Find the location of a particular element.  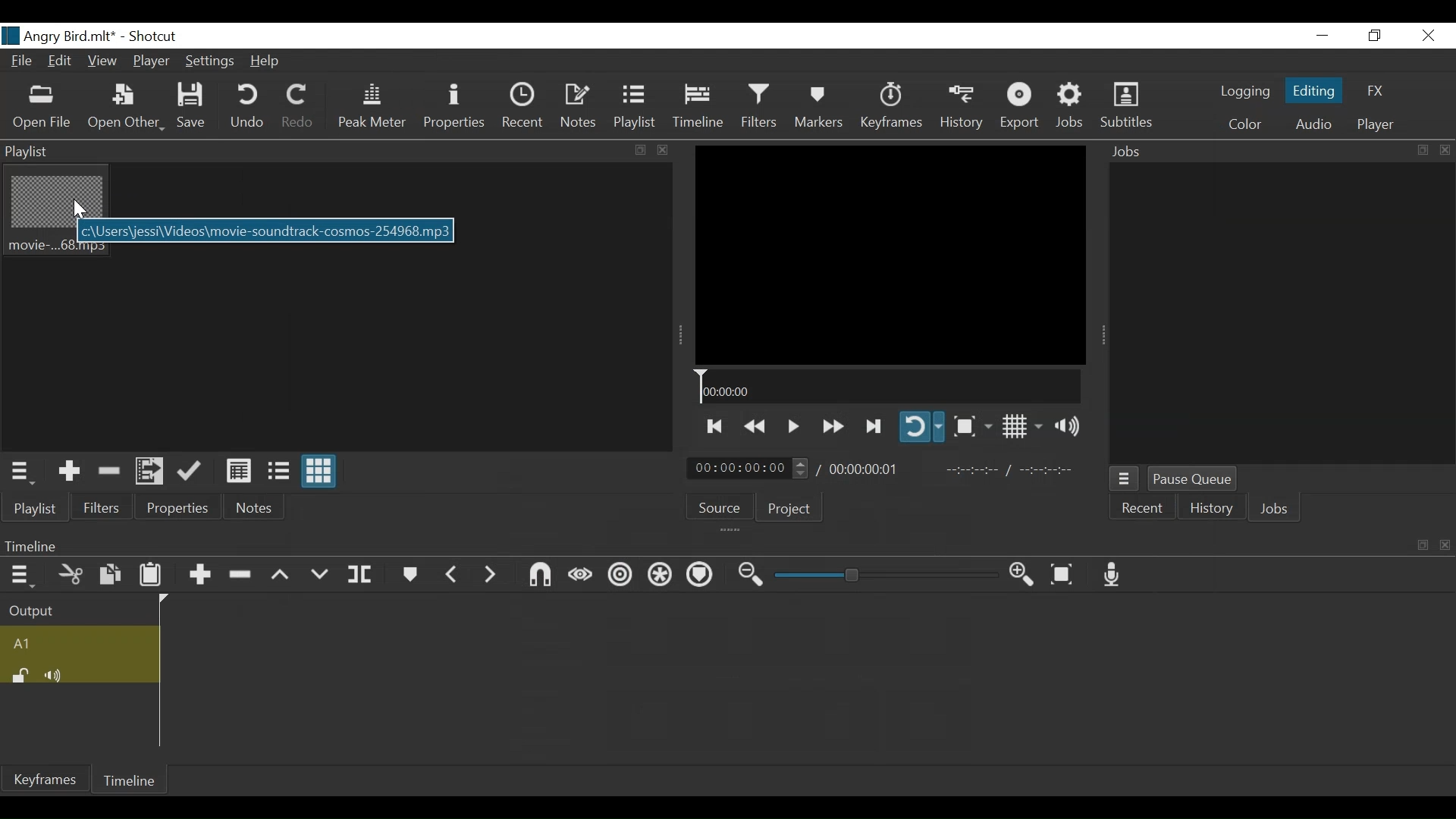

Pause Queue is located at coordinates (1193, 479).